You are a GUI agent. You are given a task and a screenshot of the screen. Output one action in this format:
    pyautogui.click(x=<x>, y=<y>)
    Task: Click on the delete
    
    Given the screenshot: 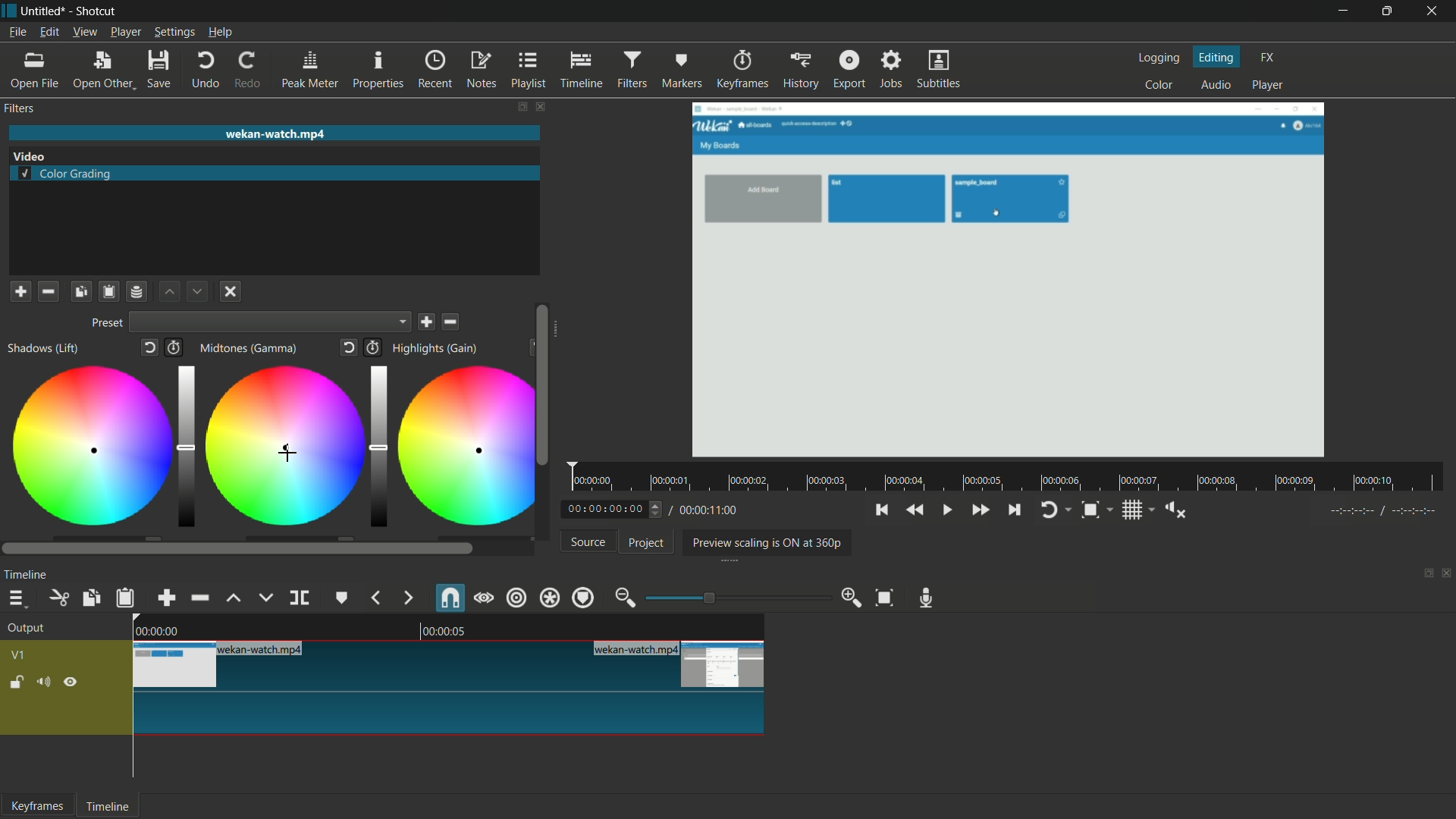 What is the action you would take?
    pyautogui.click(x=452, y=322)
    